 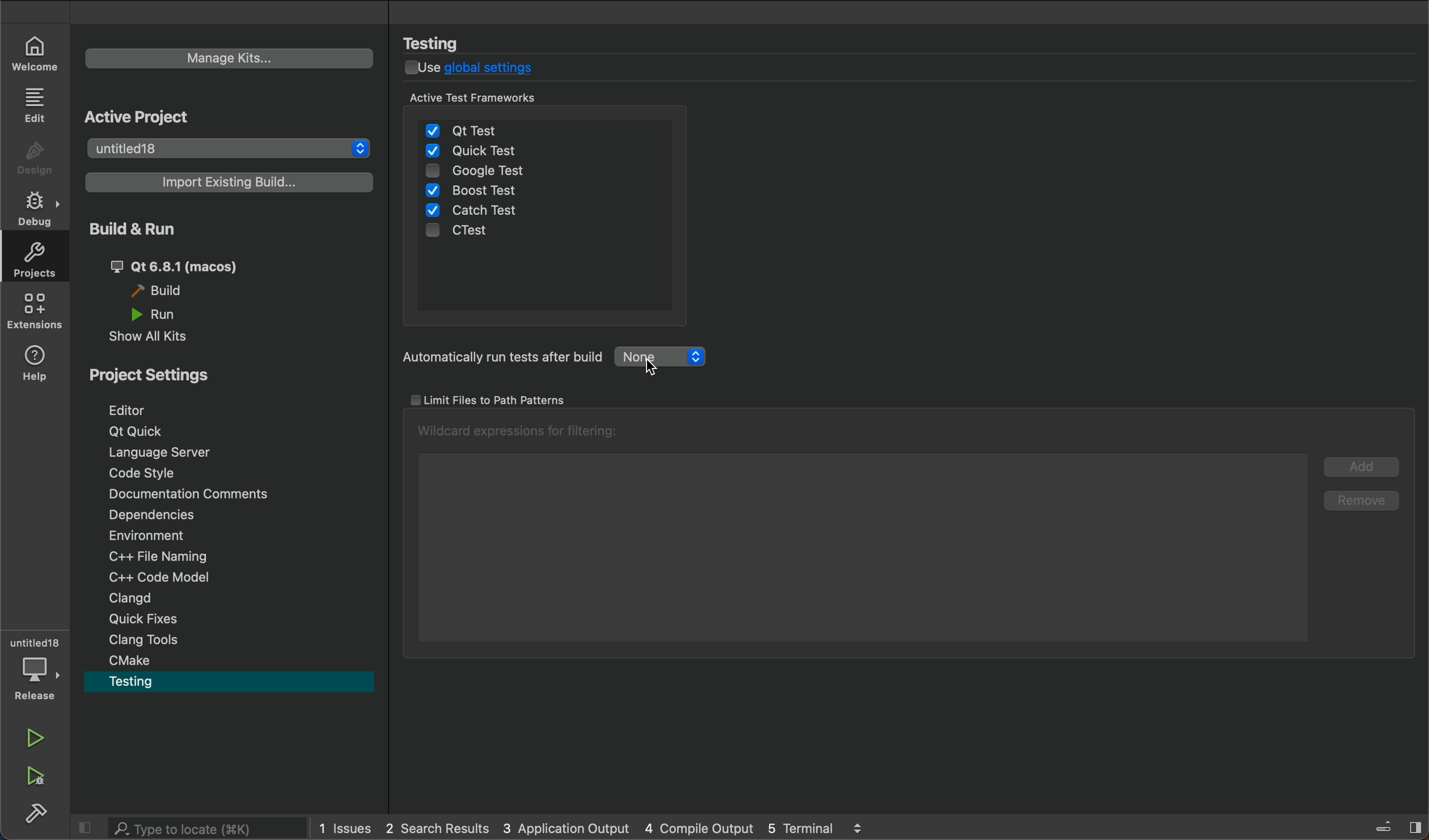 I want to click on CURSOR, so click(x=659, y=365).